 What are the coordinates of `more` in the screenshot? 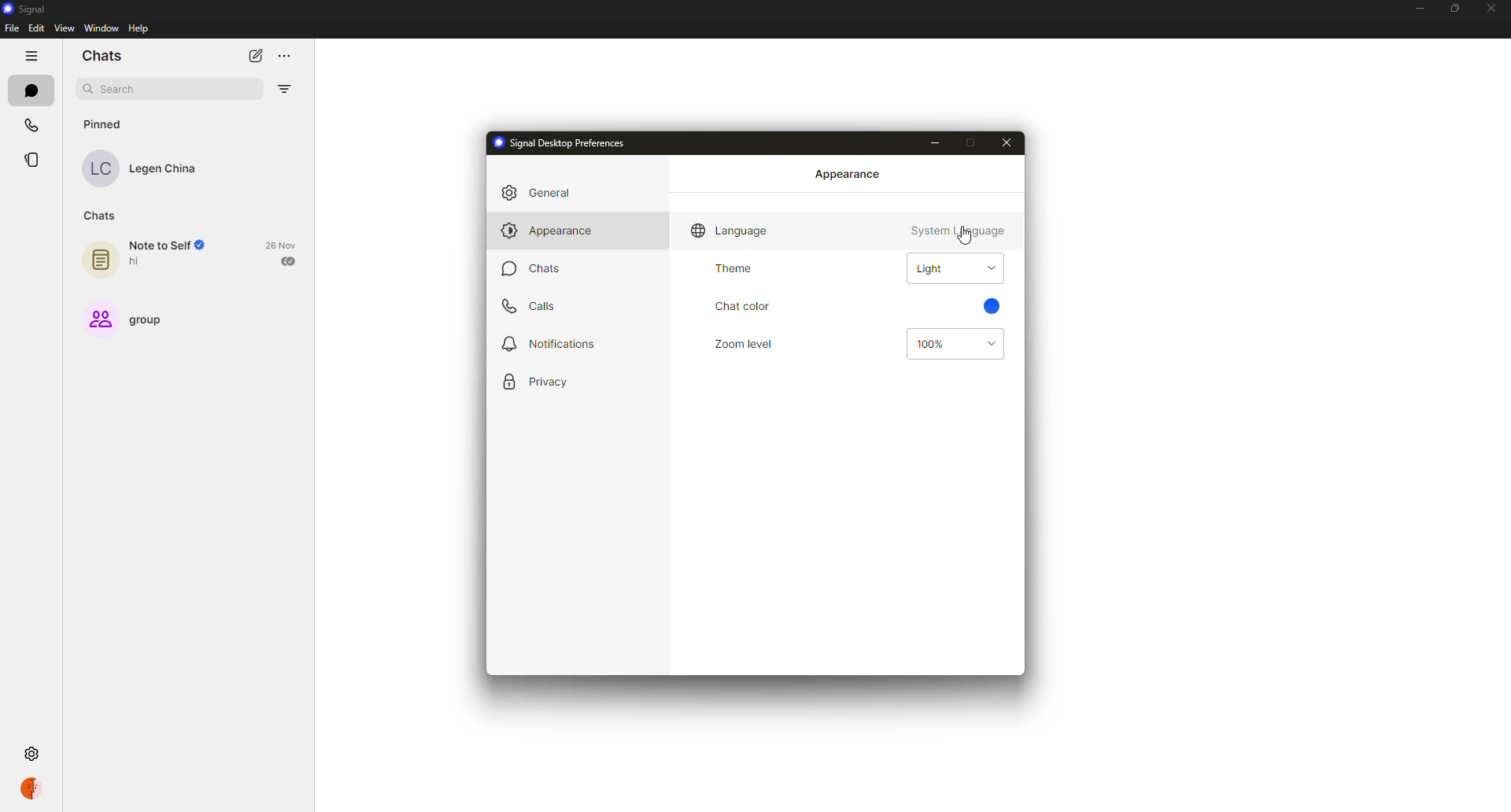 It's located at (285, 57).